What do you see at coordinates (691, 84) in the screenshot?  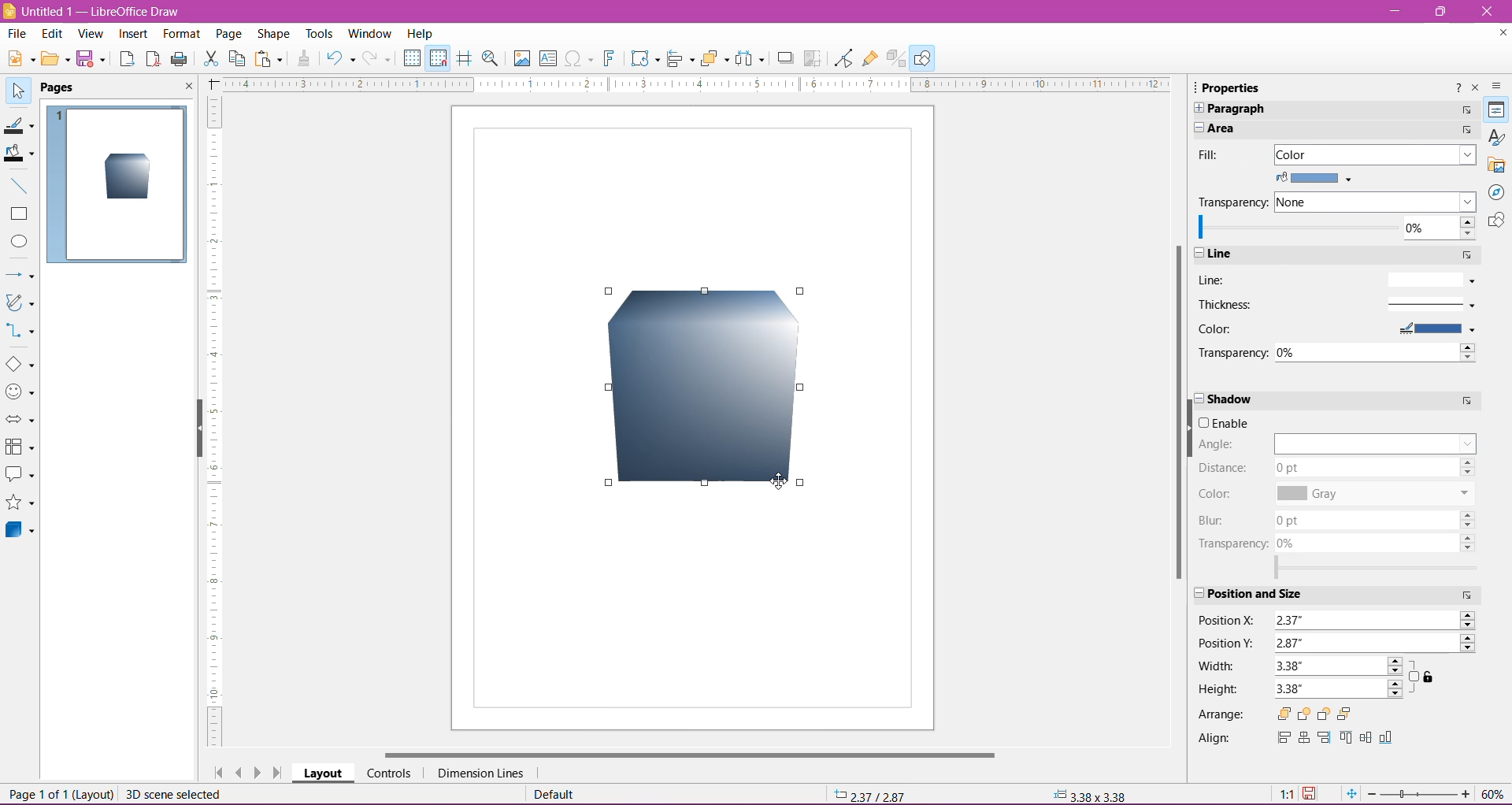 I see `Ruler` at bounding box center [691, 84].